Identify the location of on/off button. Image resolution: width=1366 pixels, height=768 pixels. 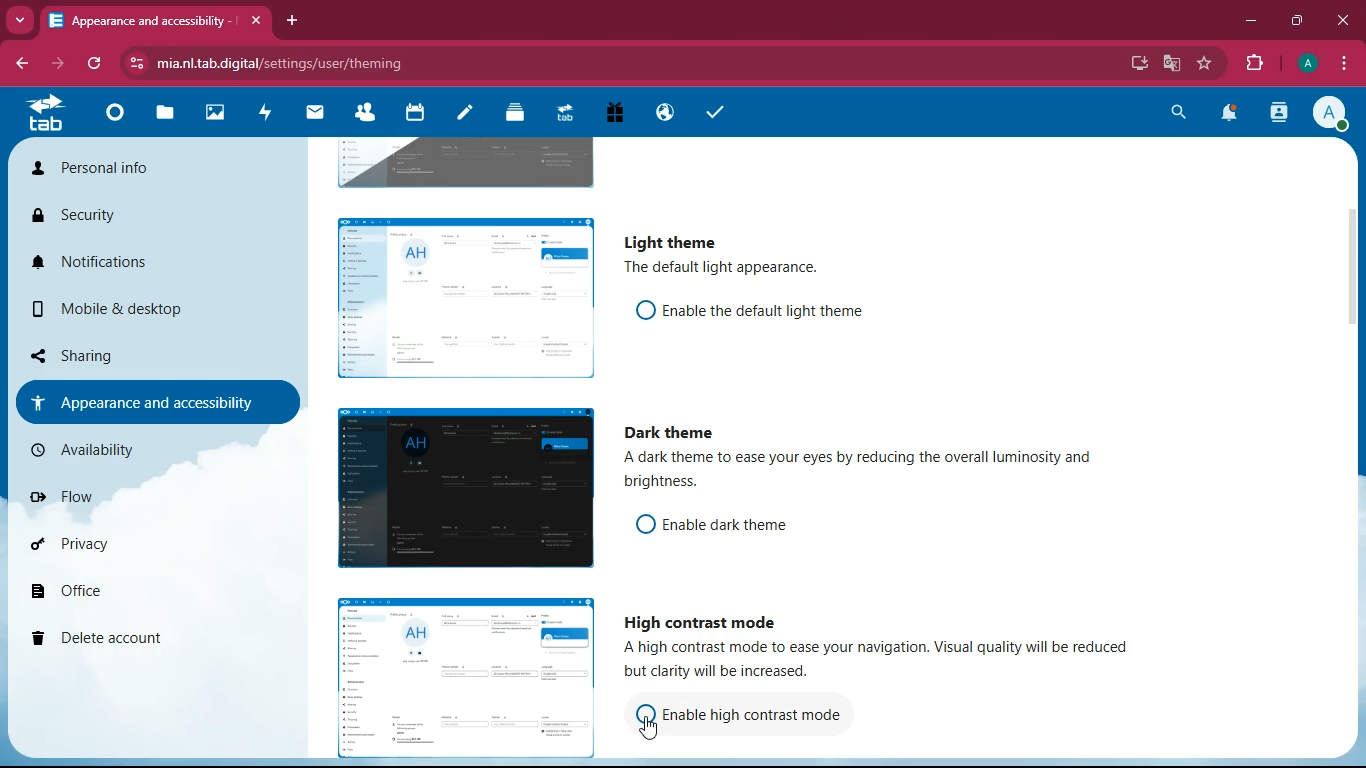
(638, 309).